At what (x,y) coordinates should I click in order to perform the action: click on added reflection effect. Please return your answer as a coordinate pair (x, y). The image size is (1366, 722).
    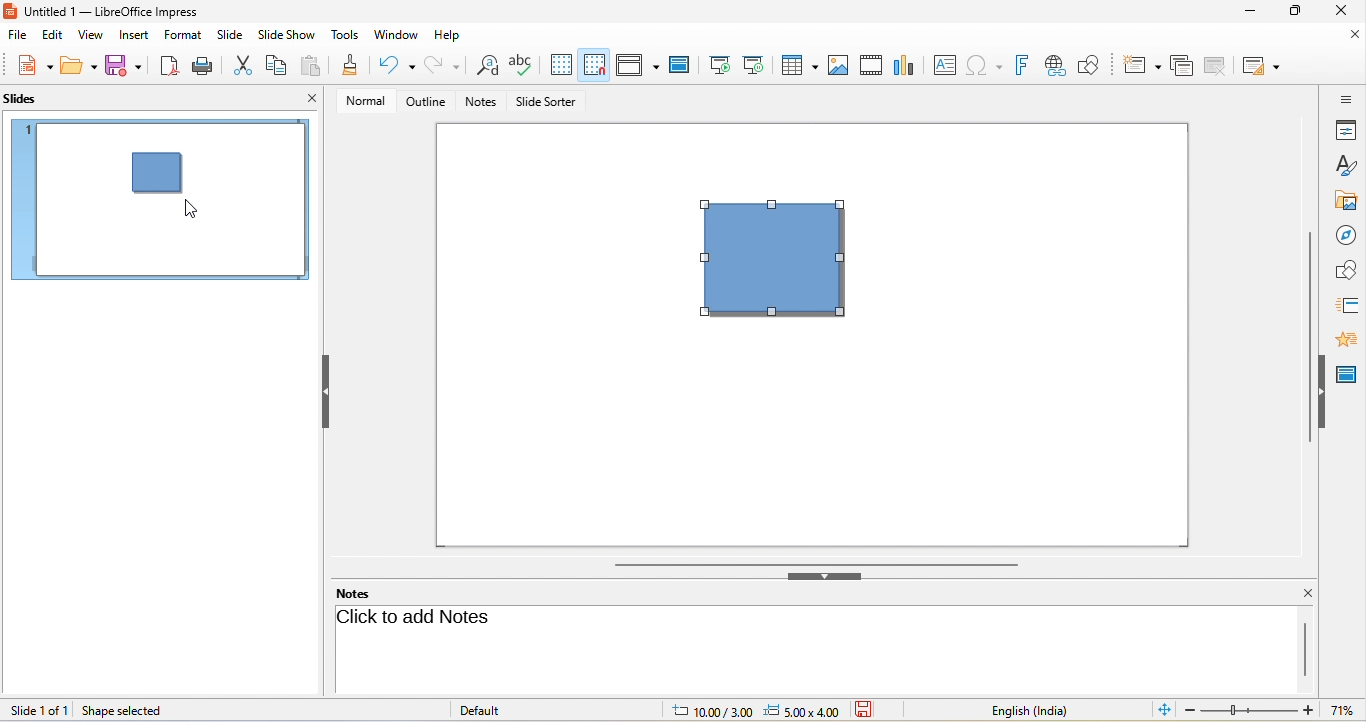
    Looking at the image, I should click on (167, 183).